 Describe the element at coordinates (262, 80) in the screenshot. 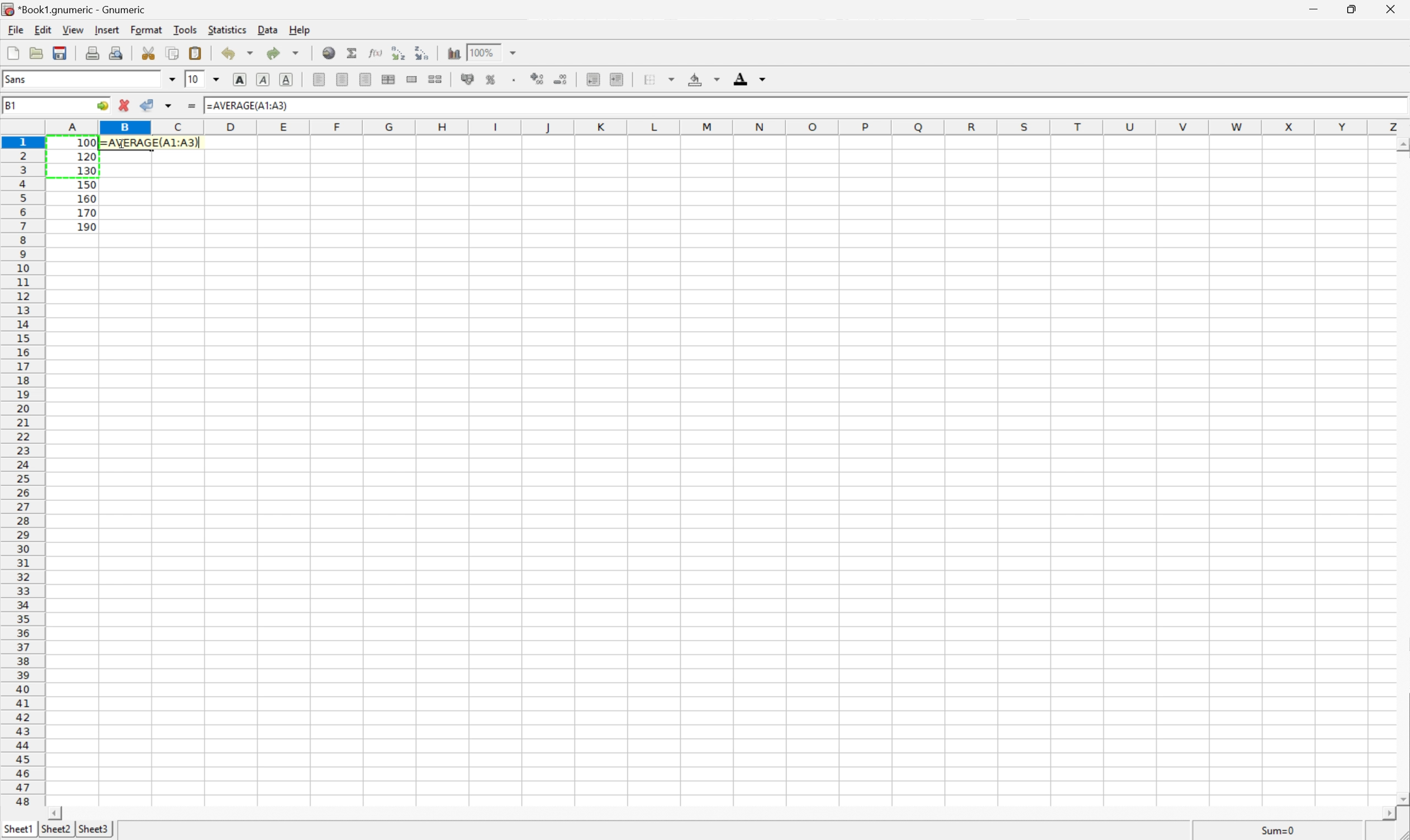

I see `Italic` at that location.